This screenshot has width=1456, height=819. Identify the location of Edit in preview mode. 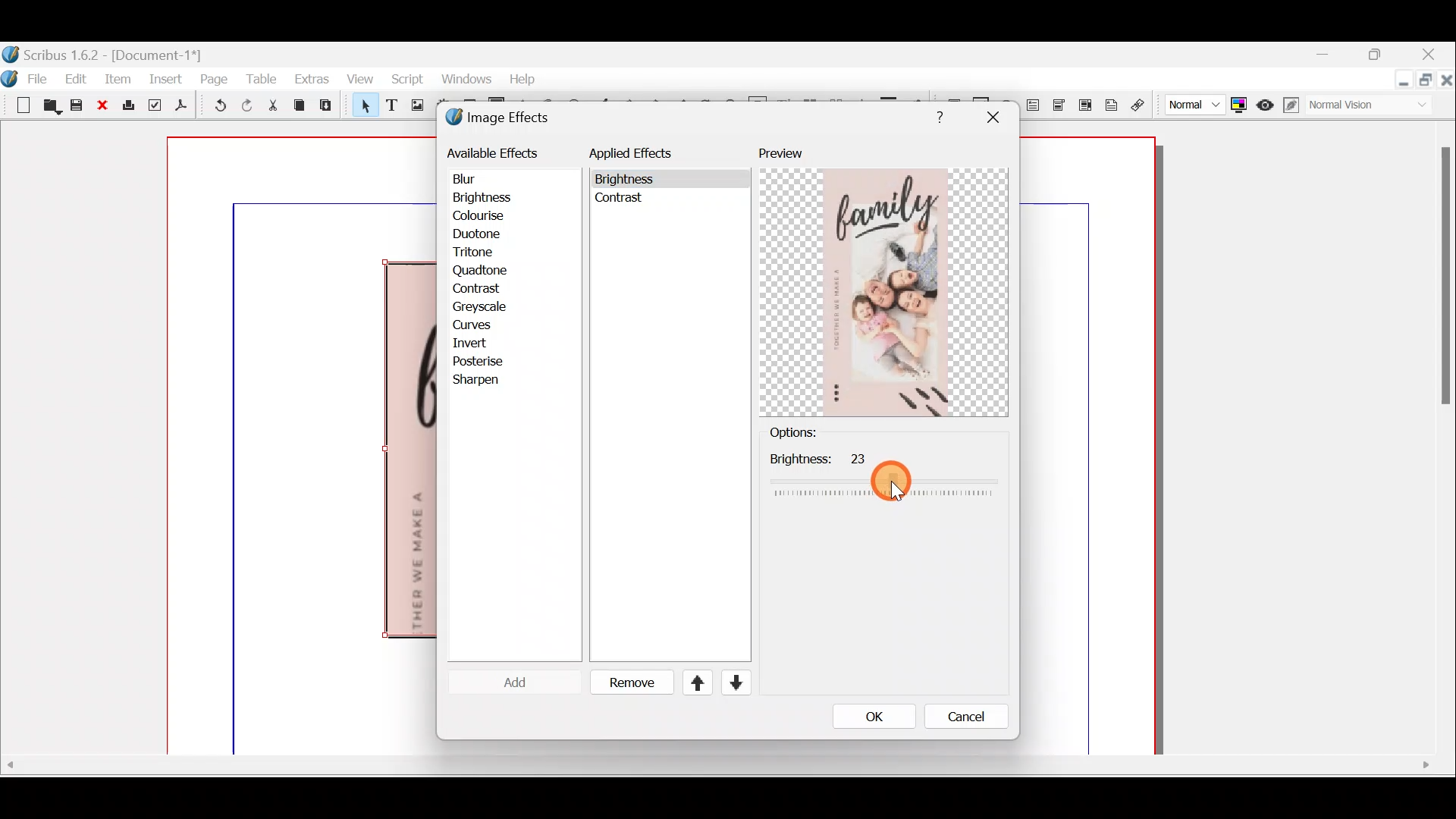
(1293, 105).